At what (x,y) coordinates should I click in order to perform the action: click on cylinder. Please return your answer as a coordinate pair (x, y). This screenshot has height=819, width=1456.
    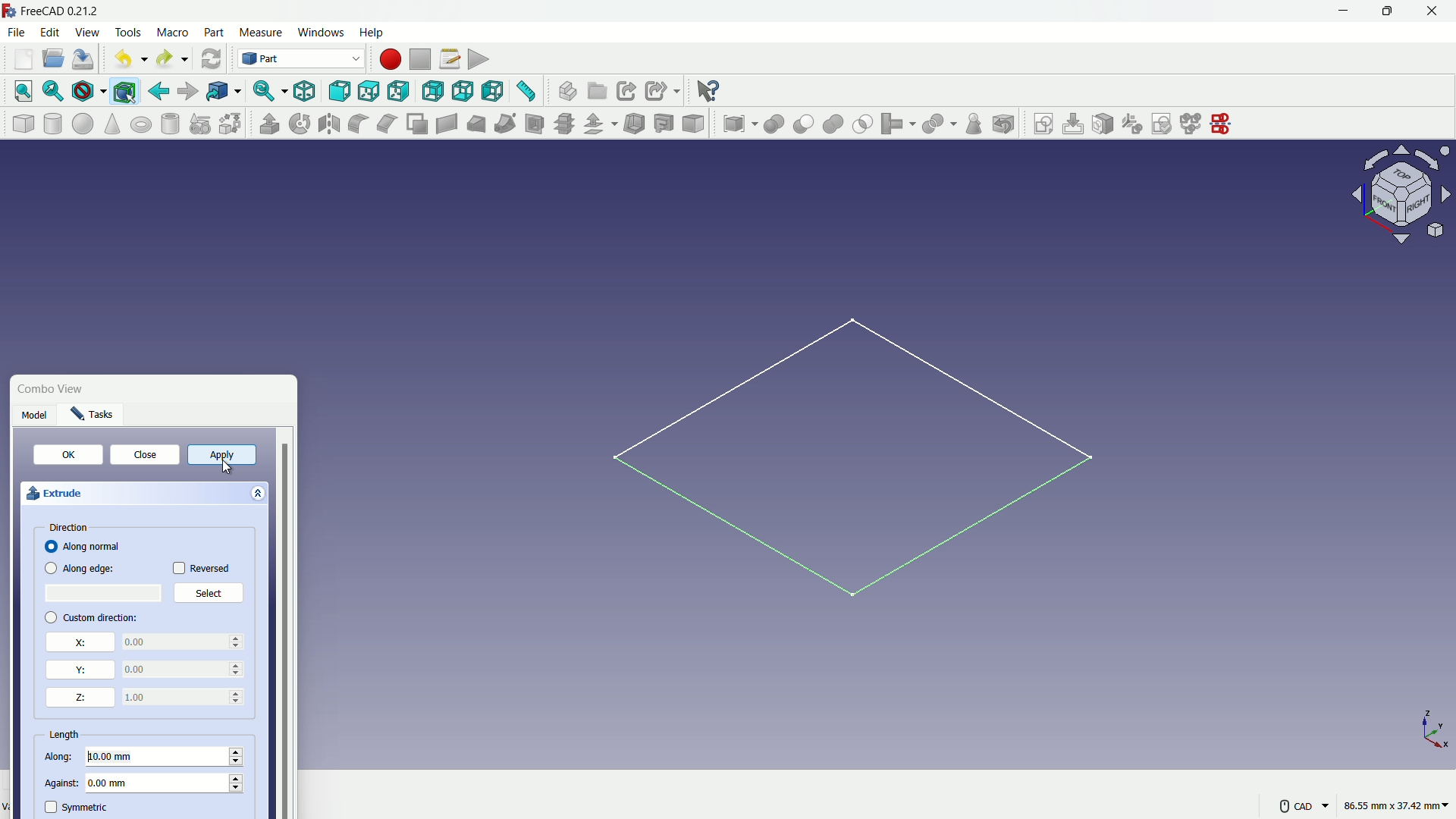
    Looking at the image, I should click on (53, 124).